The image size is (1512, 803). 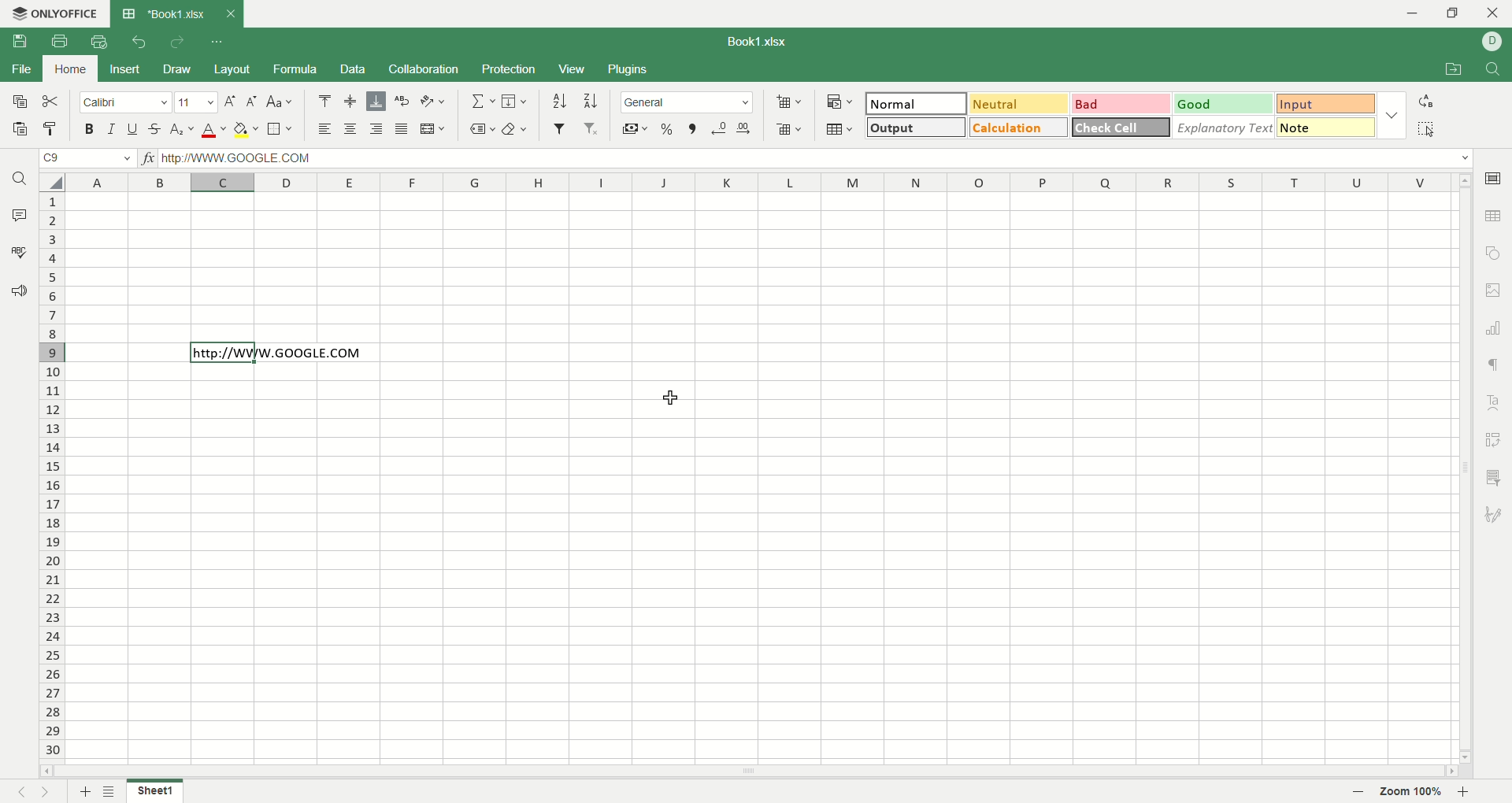 What do you see at coordinates (425, 68) in the screenshot?
I see `collaboration` at bounding box center [425, 68].